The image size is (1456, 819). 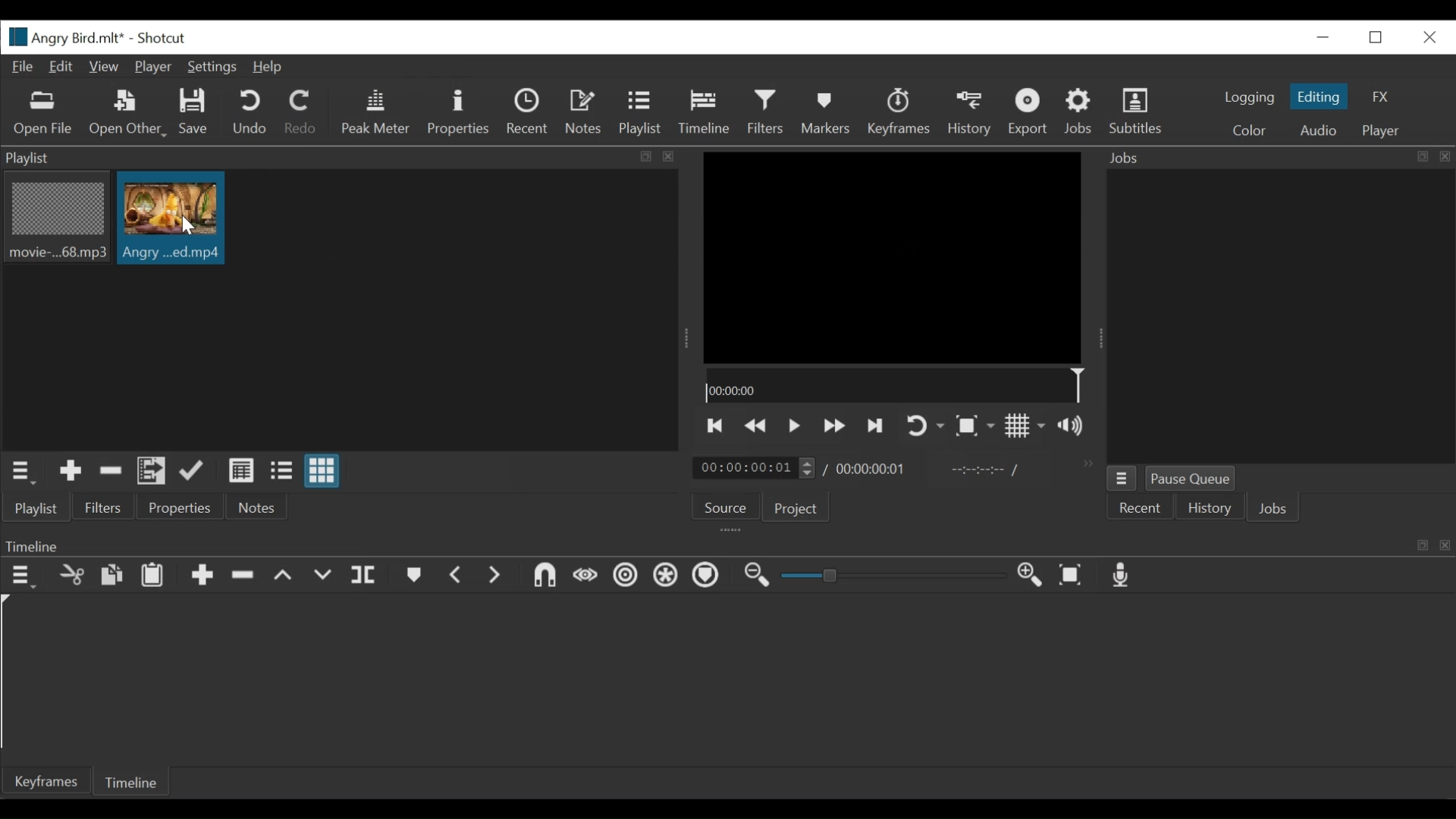 What do you see at coordinates (1028, 113) in the screenshot?
I see `Export` at bounding box center [1028, 113].